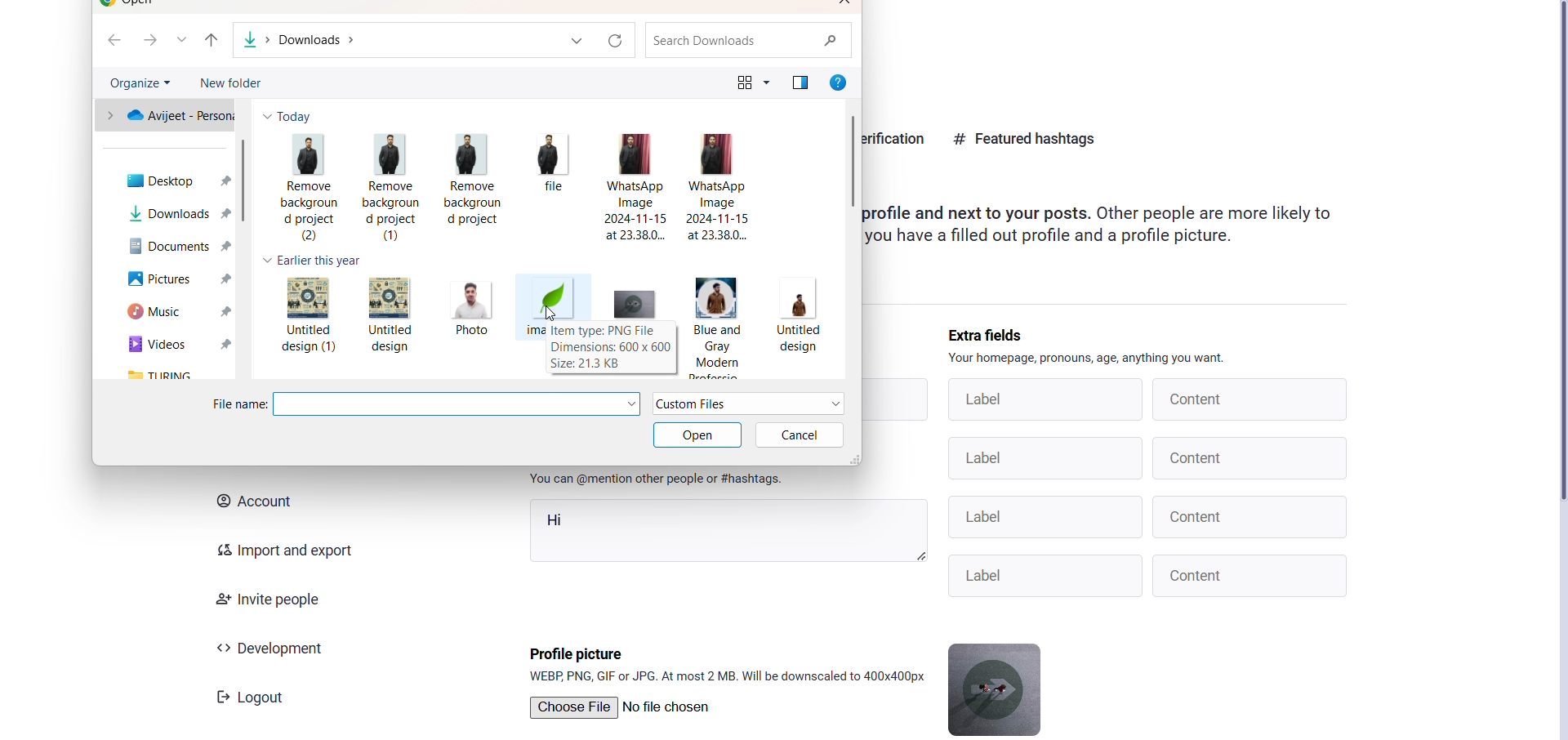 This screenshot has width=1568, height=740. I want to click on documents, so click(173, 247).